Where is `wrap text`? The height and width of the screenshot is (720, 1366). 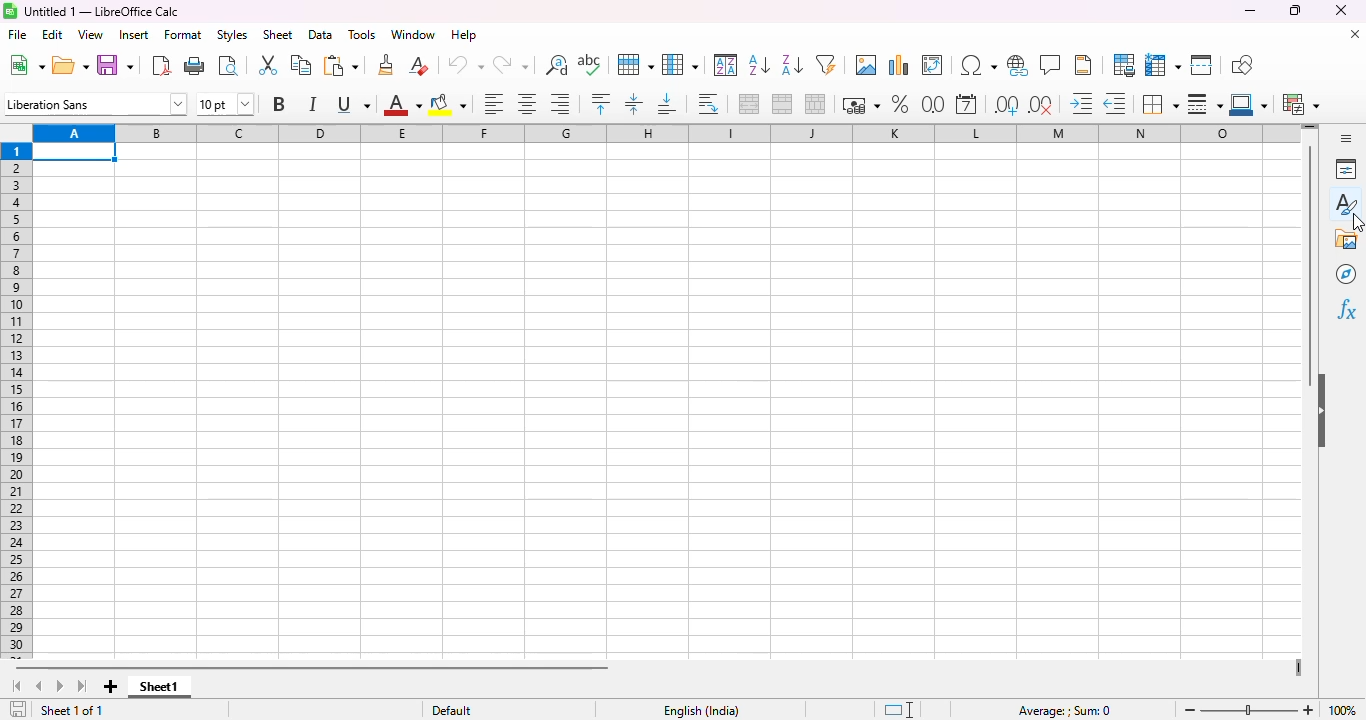
wrap text is located at coordinates (707, 104).